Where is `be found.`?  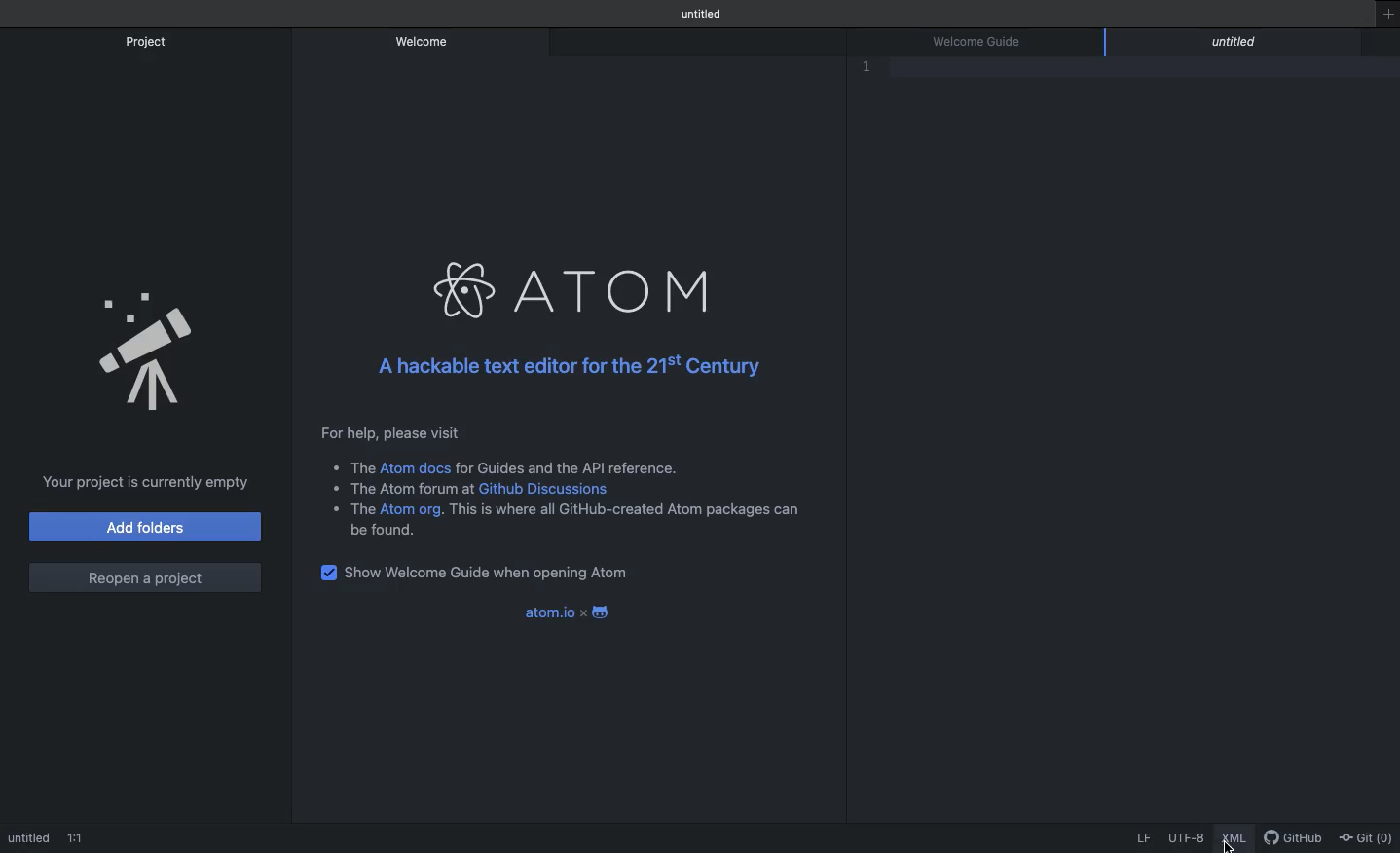
be found. is located at coordinates (380, 531).